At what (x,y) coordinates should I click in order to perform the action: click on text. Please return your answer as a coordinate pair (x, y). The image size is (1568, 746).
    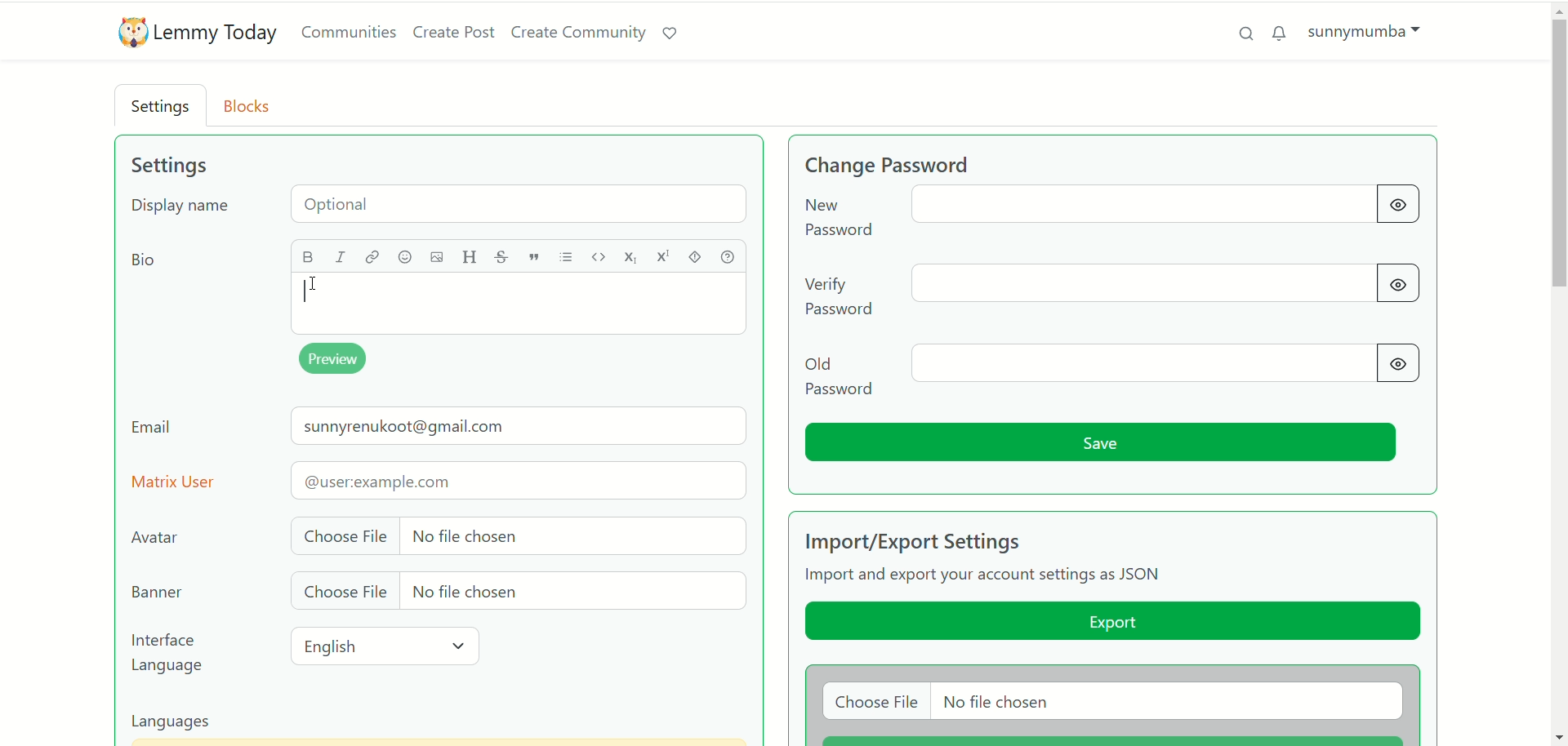
    Looking at the image, I should click on (988, 577).